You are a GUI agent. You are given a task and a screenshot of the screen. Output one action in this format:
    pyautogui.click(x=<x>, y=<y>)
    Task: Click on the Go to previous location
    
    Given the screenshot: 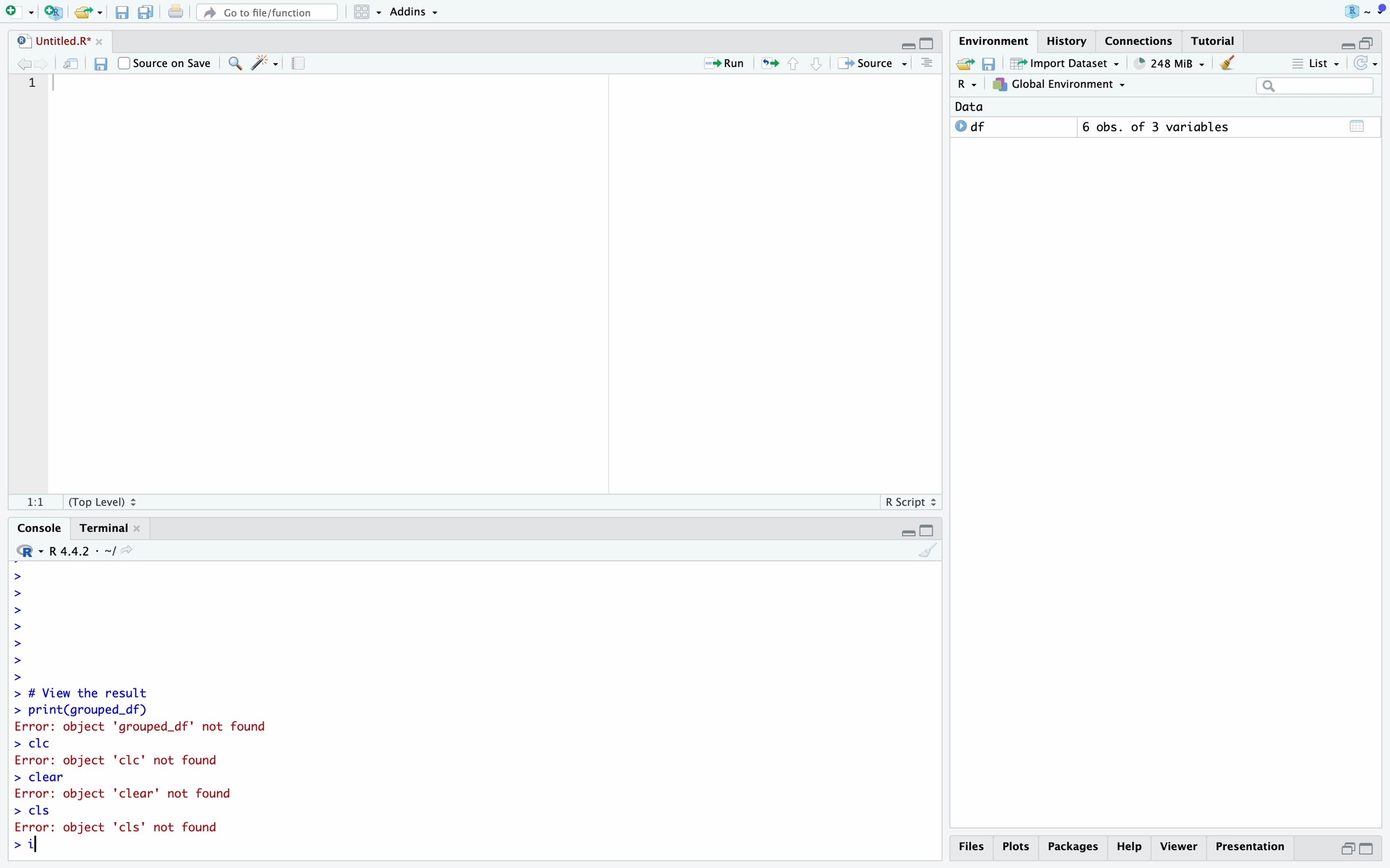 What is the action you would take?
    pyautogui.click(x=22, y=64)
    